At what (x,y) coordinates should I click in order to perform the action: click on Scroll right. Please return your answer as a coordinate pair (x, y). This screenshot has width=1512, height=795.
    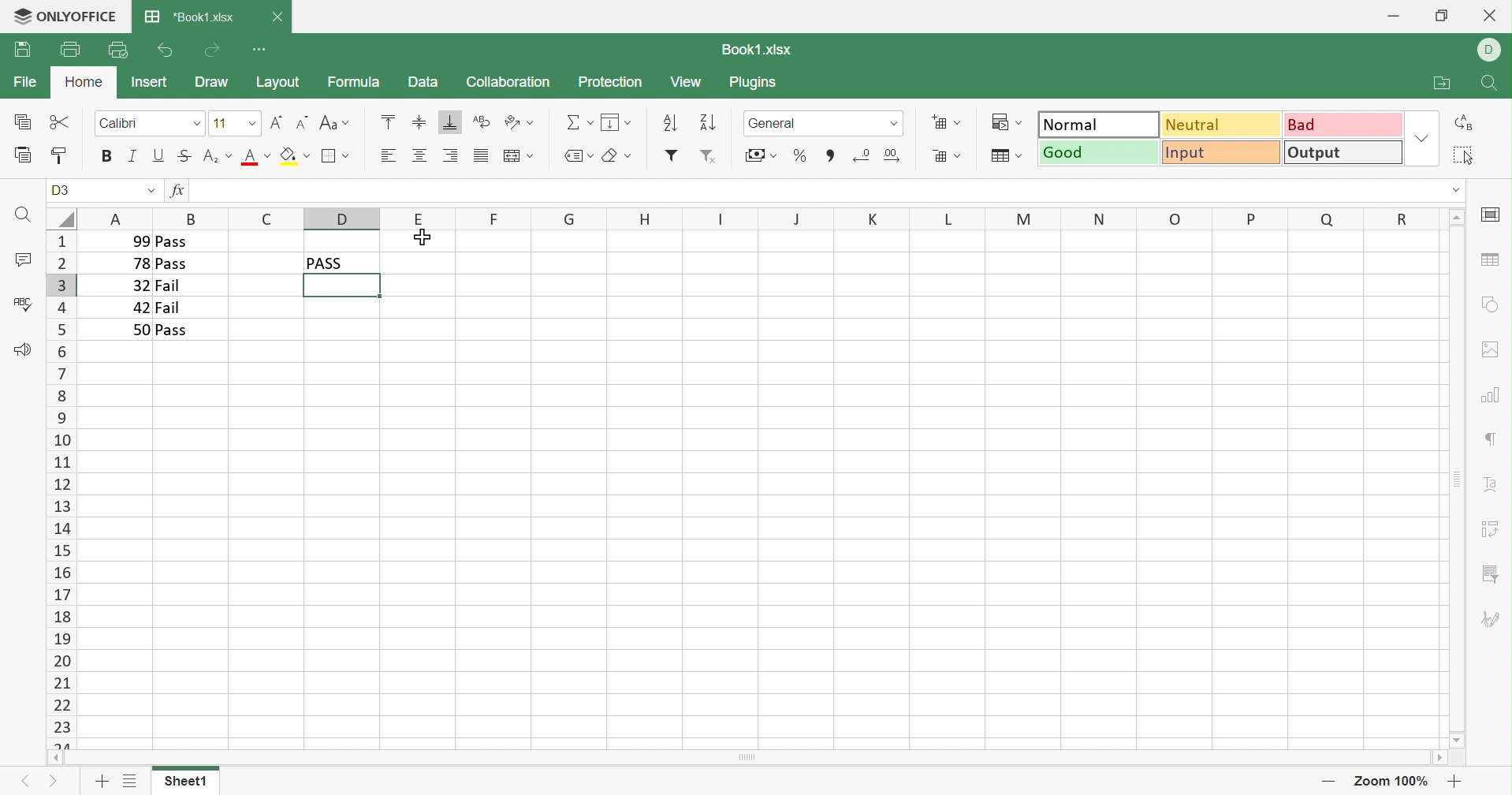
    Looking at the image, I should click on (1439, 760).